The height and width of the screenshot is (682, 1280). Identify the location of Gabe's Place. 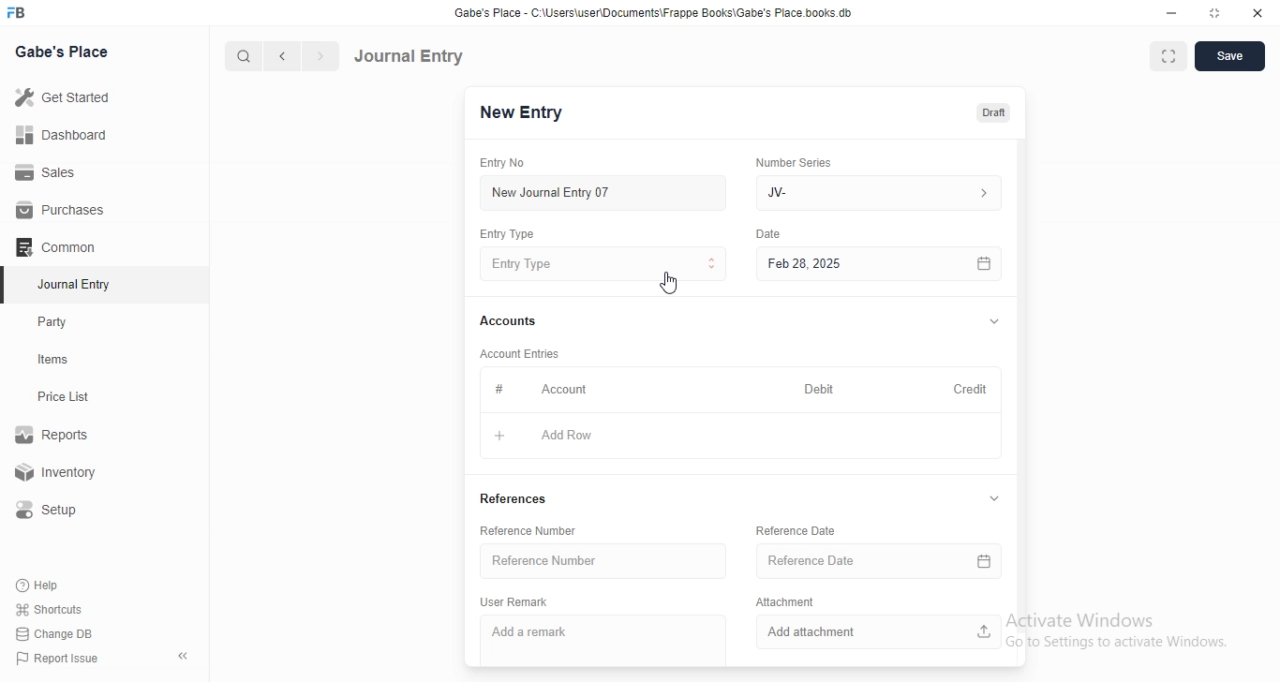
(64, 51).